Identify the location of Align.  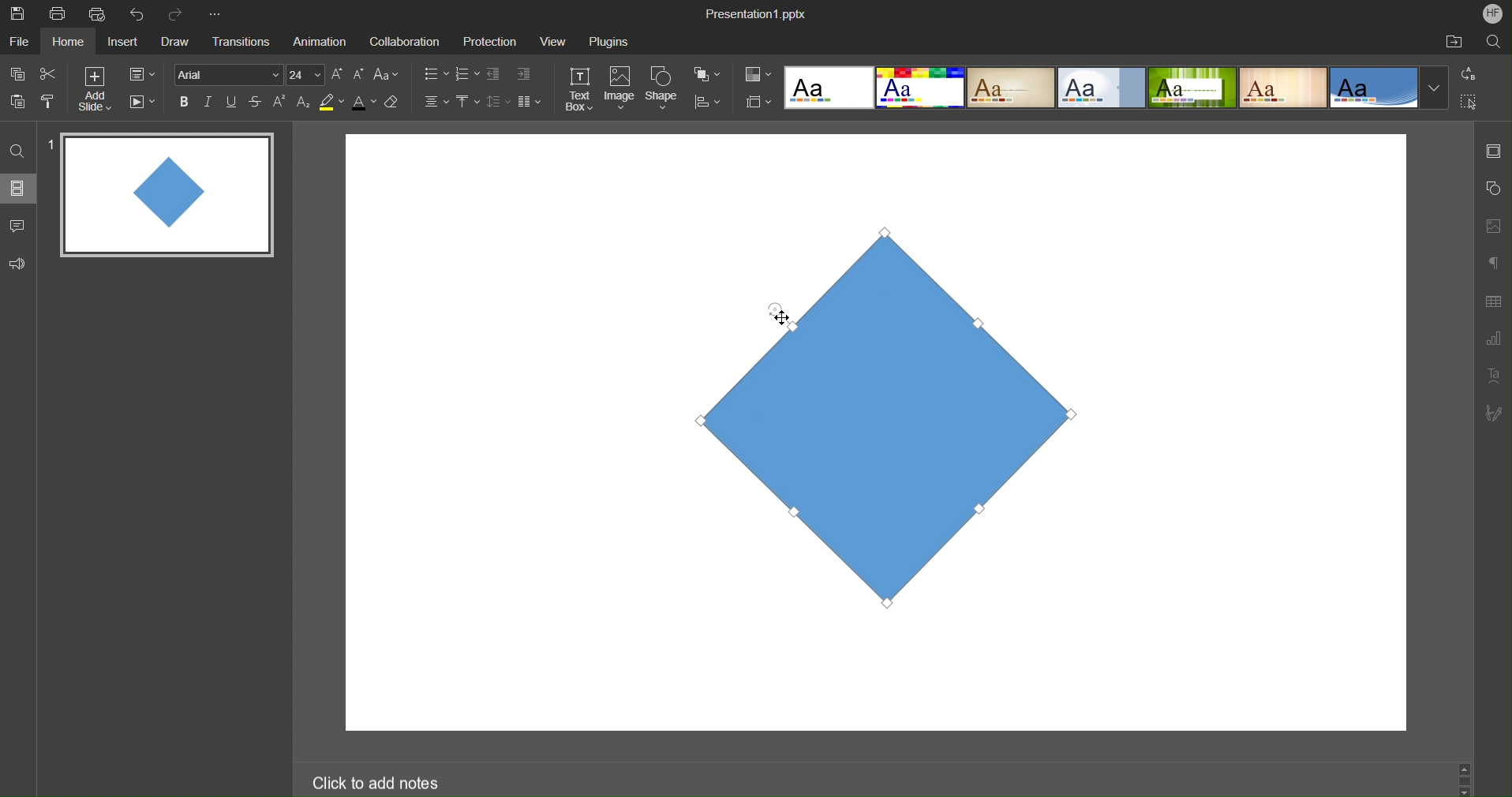
(709, 102).